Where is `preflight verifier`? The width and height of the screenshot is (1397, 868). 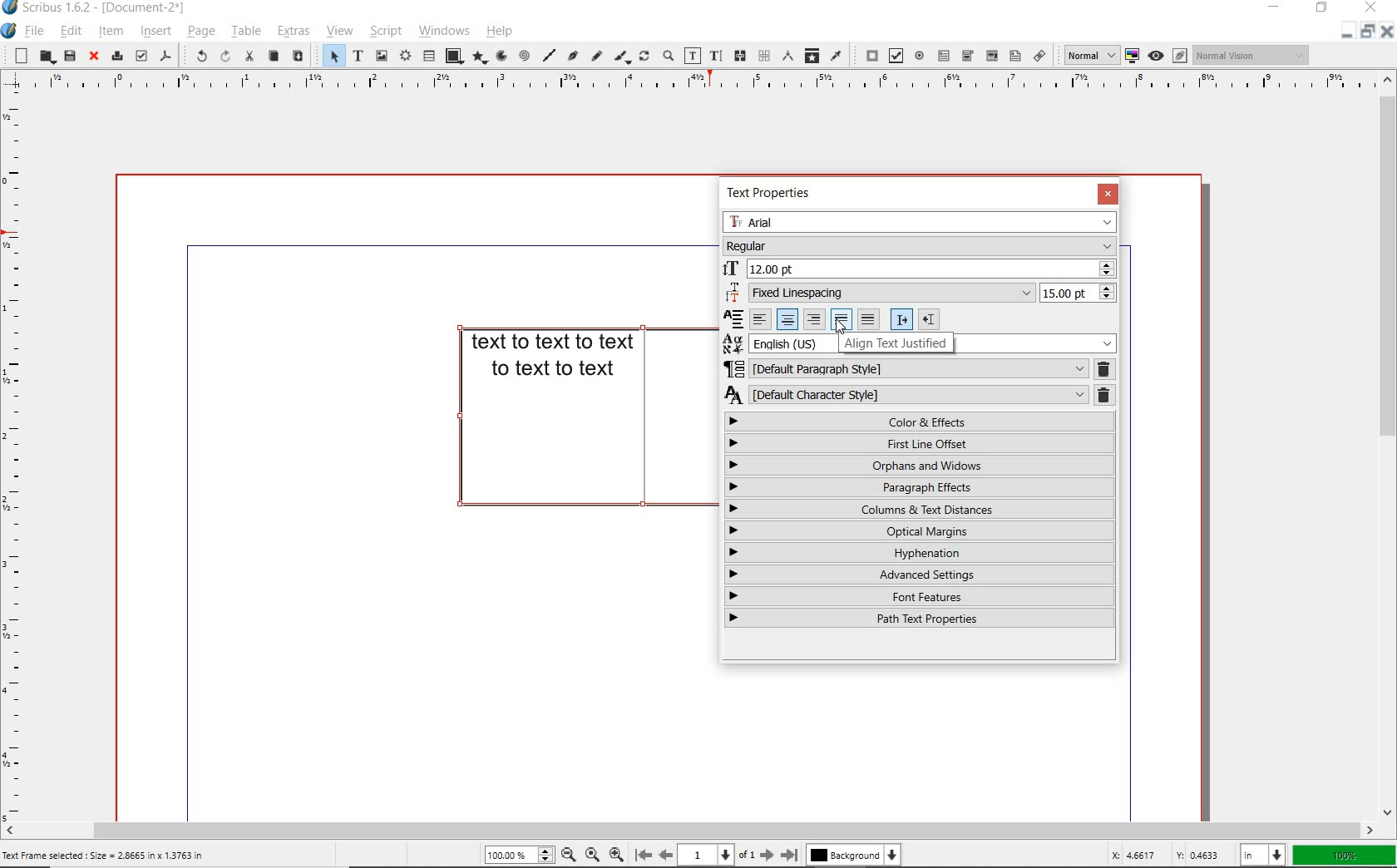
preflight verifier is located at coordinates (141, 55).